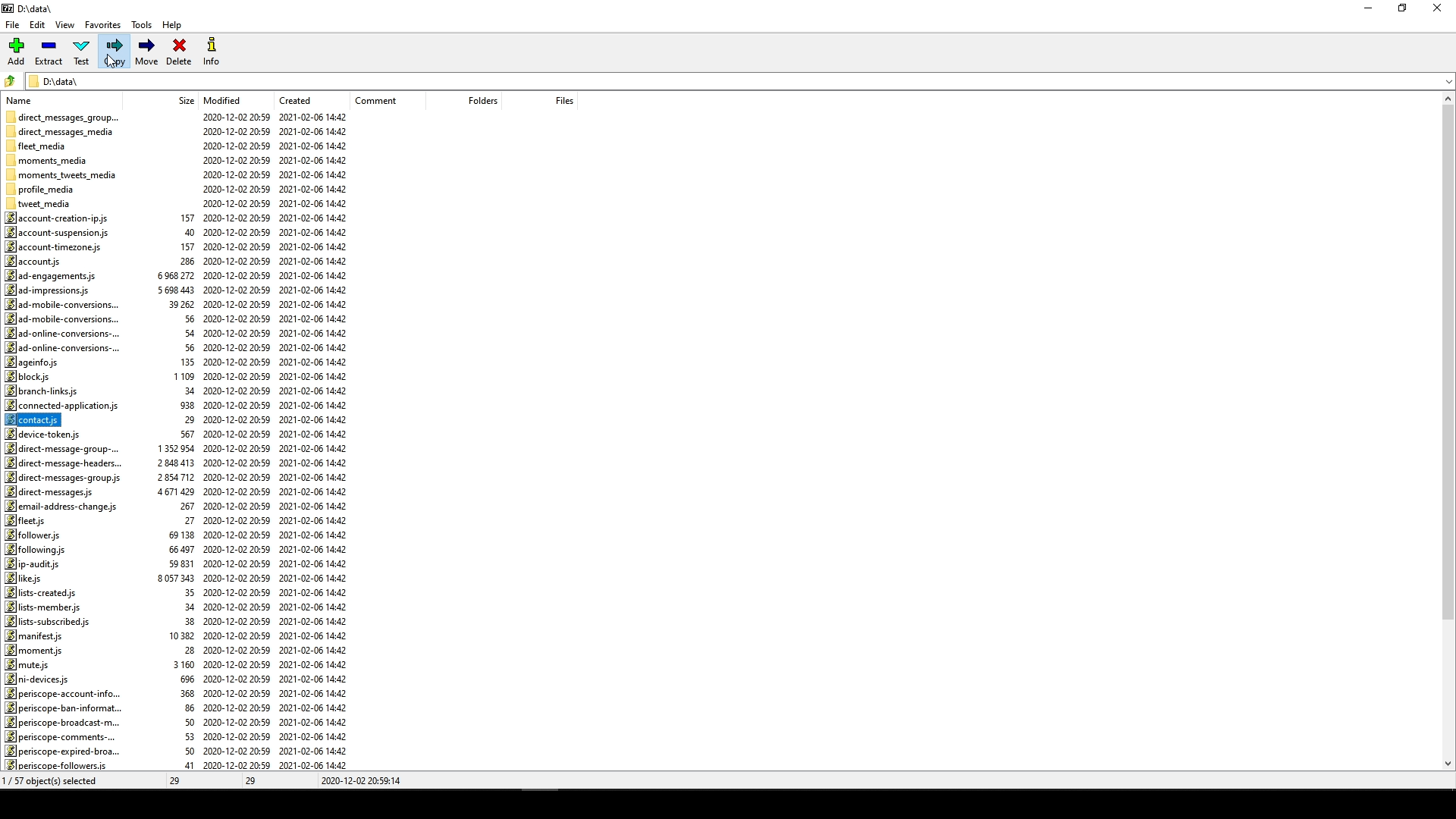 This screenshot has width=1456, height=819. I want to click on folder, so click(11, 79).